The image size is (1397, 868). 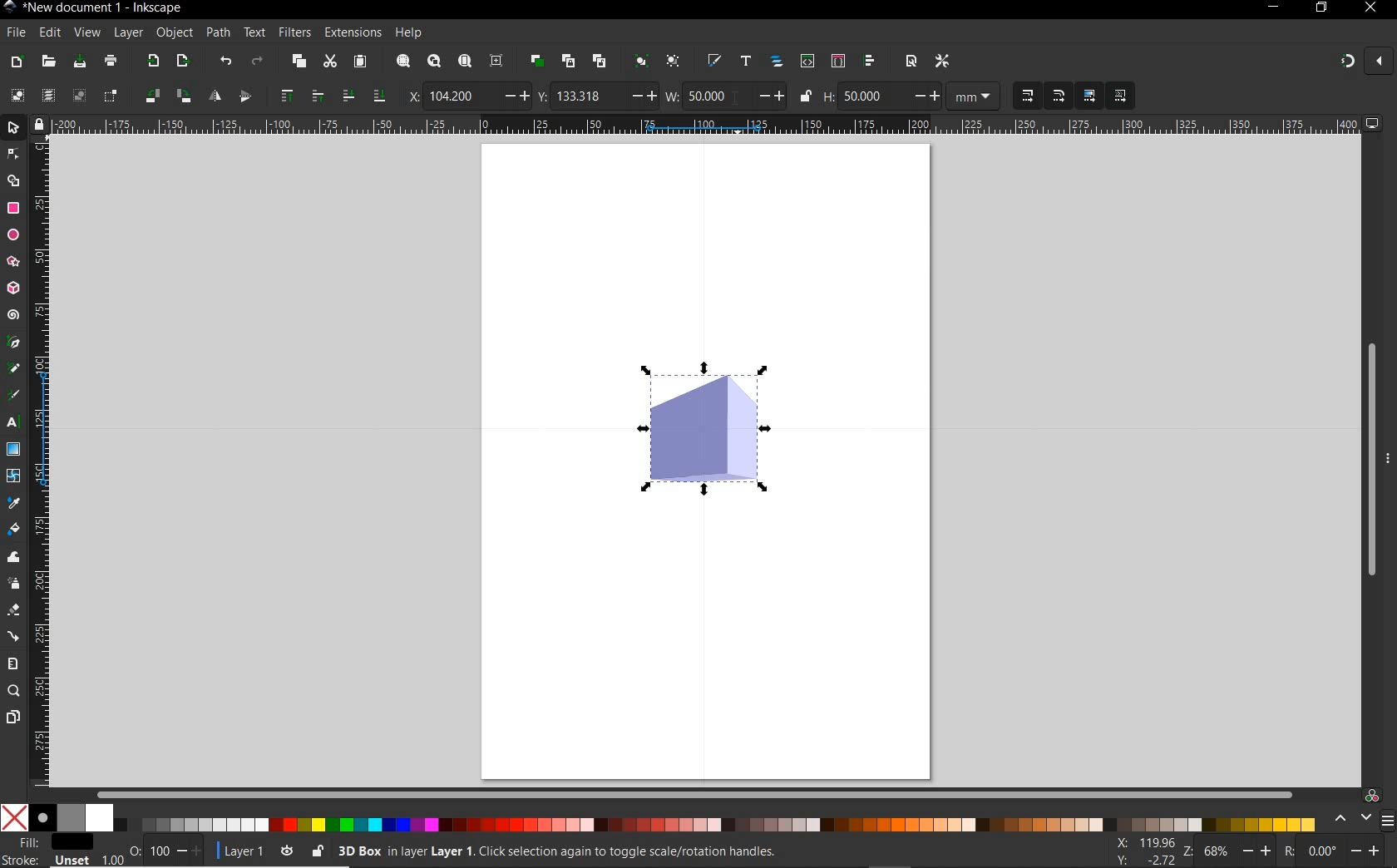 What do you see at coordinates (675, 62) in the screenshot?
I see `ungroup` at bounding box center [675, 62].